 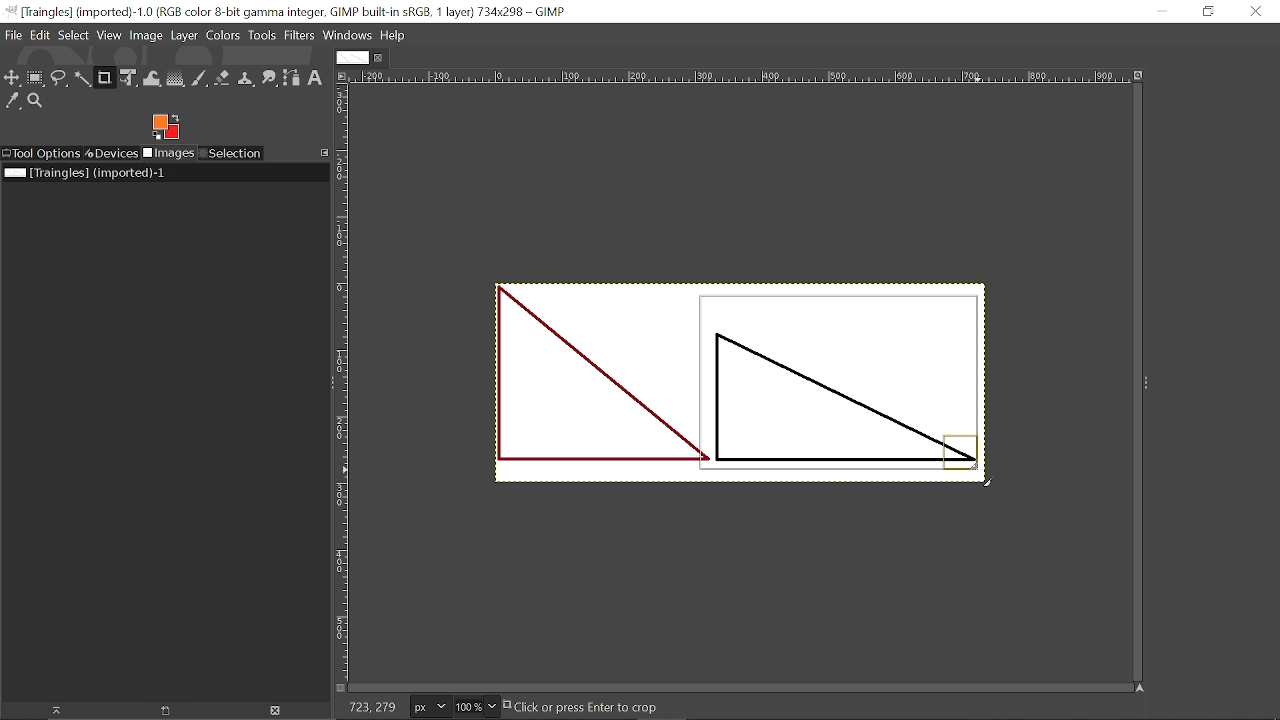 I want to click on Current zoom, so click(x=467, y=706).